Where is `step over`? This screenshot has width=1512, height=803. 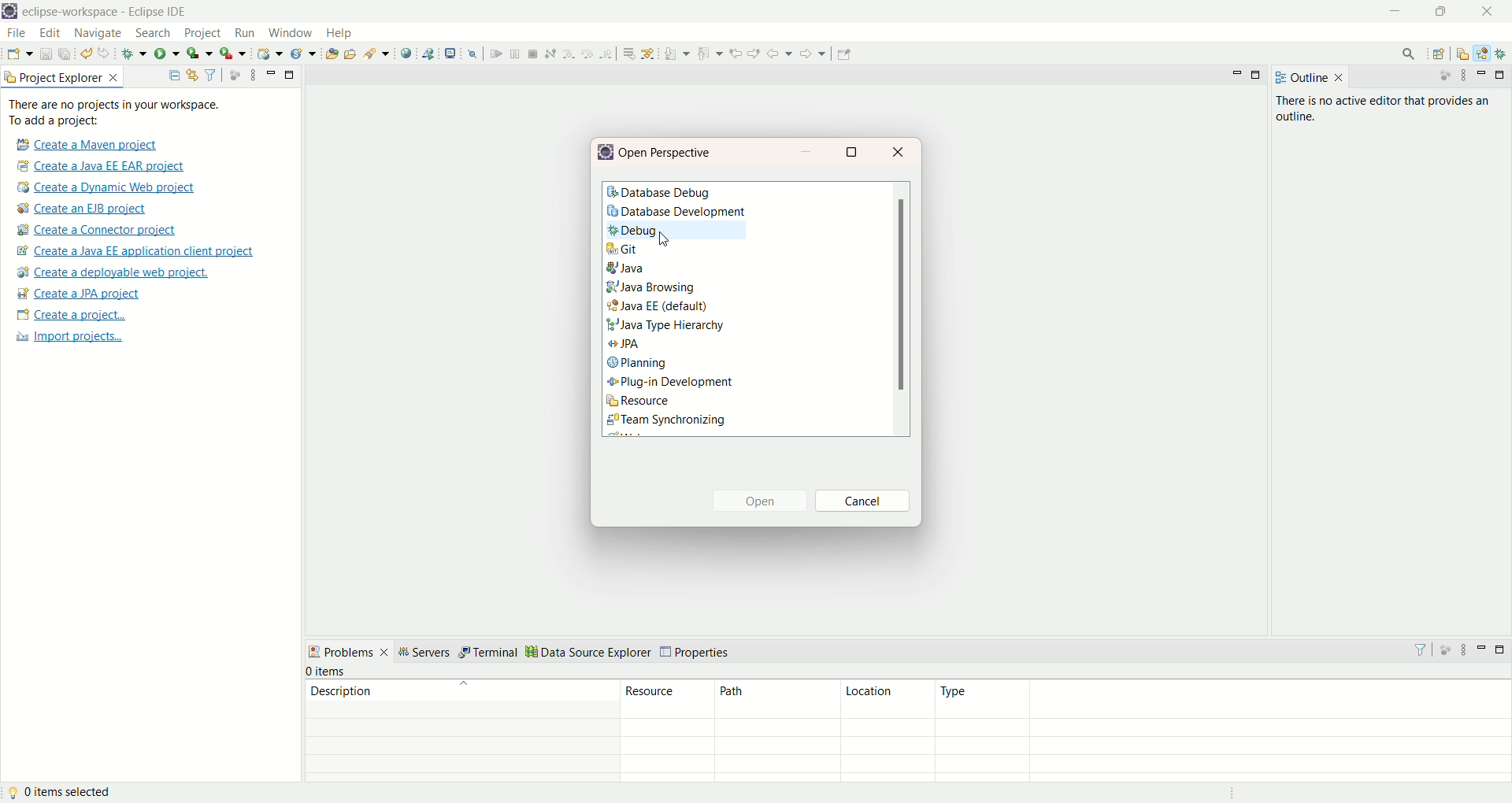
step over is located at coordinates (587, 54).